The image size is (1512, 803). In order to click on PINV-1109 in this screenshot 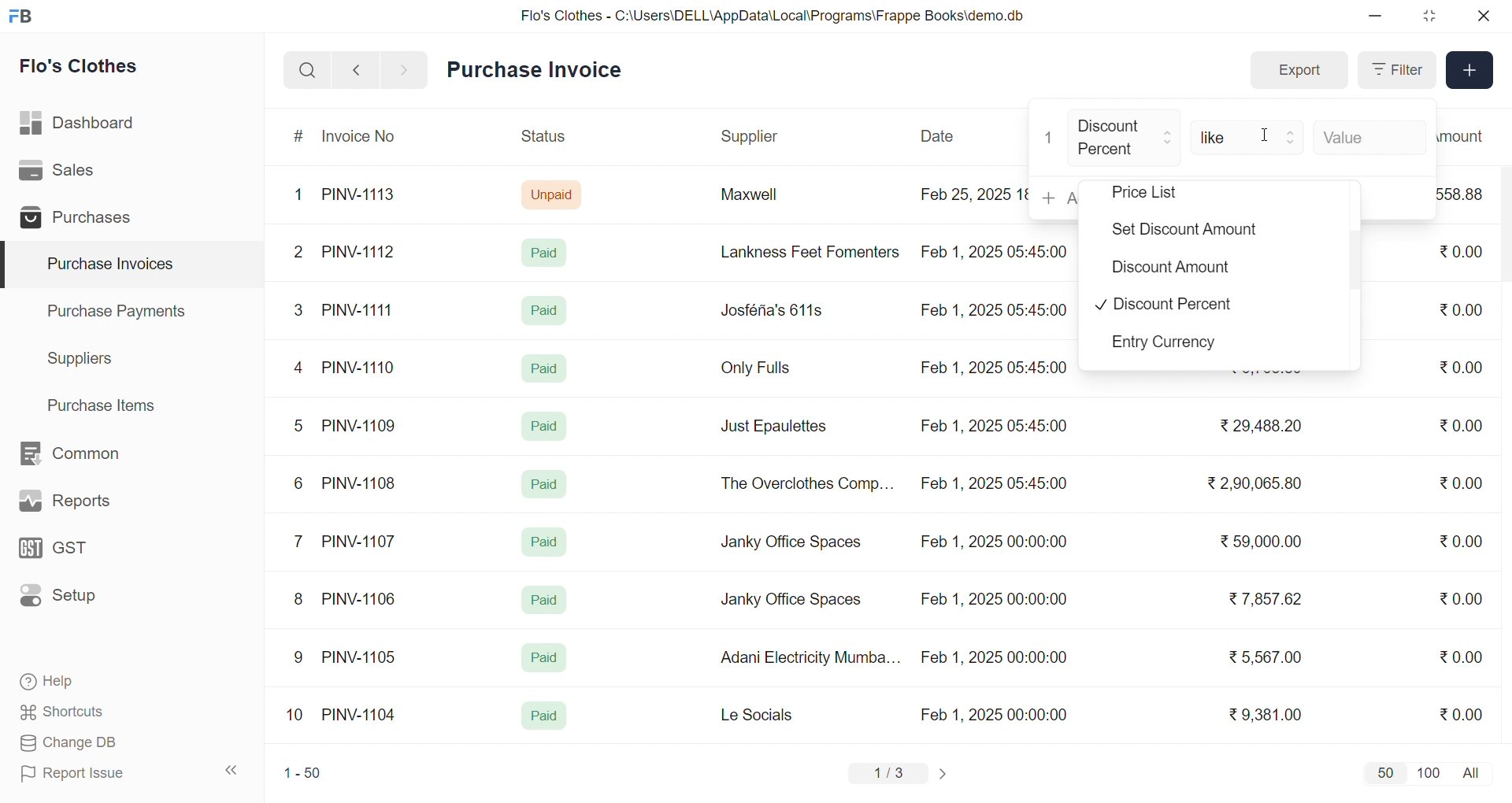, I will do `click(361, 425)`.